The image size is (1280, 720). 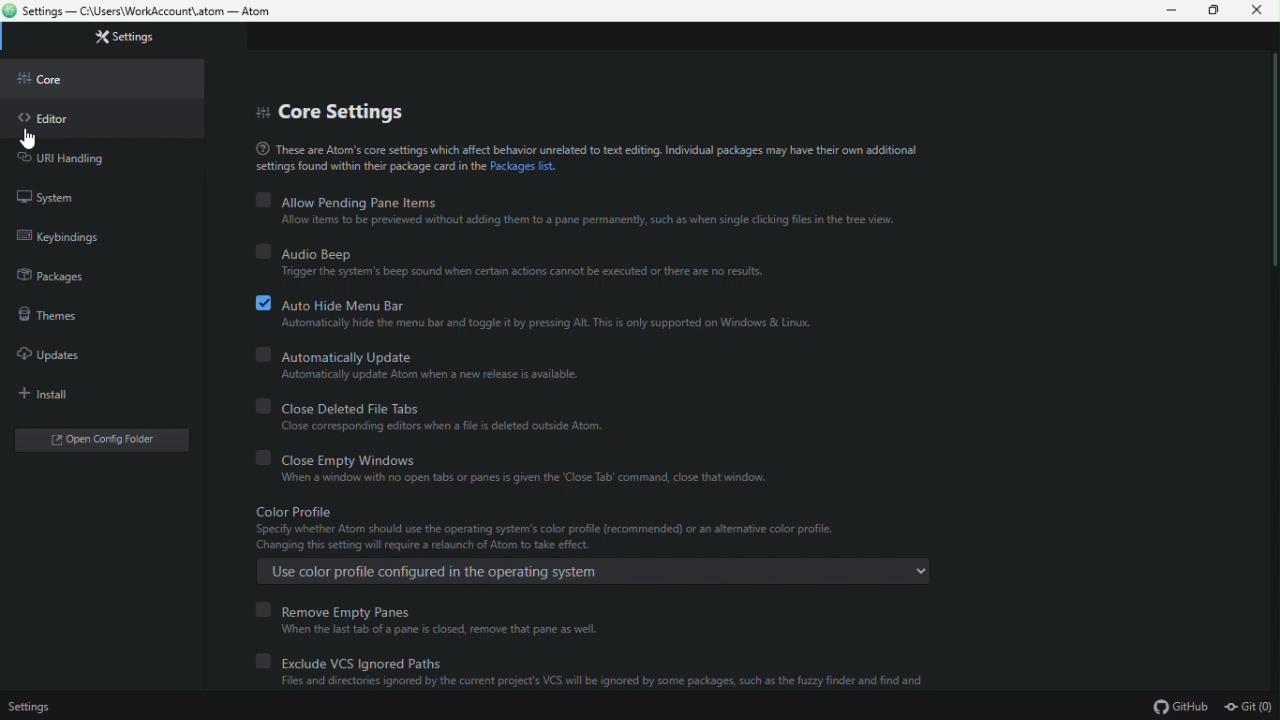 I want to click on Automatically update, so click(x=419, y=356).